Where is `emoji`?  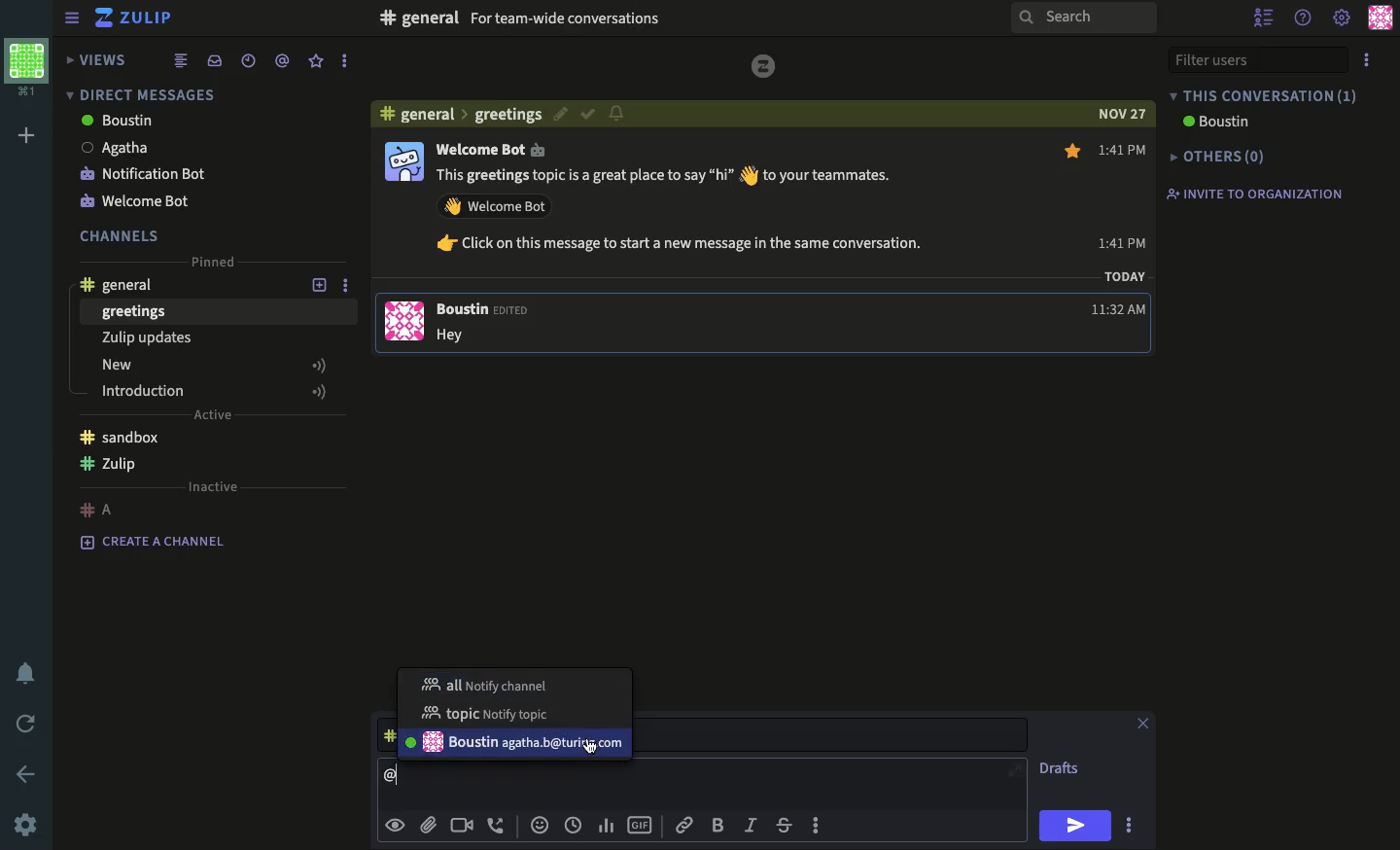
emoji is located at coordinates (540, 825).